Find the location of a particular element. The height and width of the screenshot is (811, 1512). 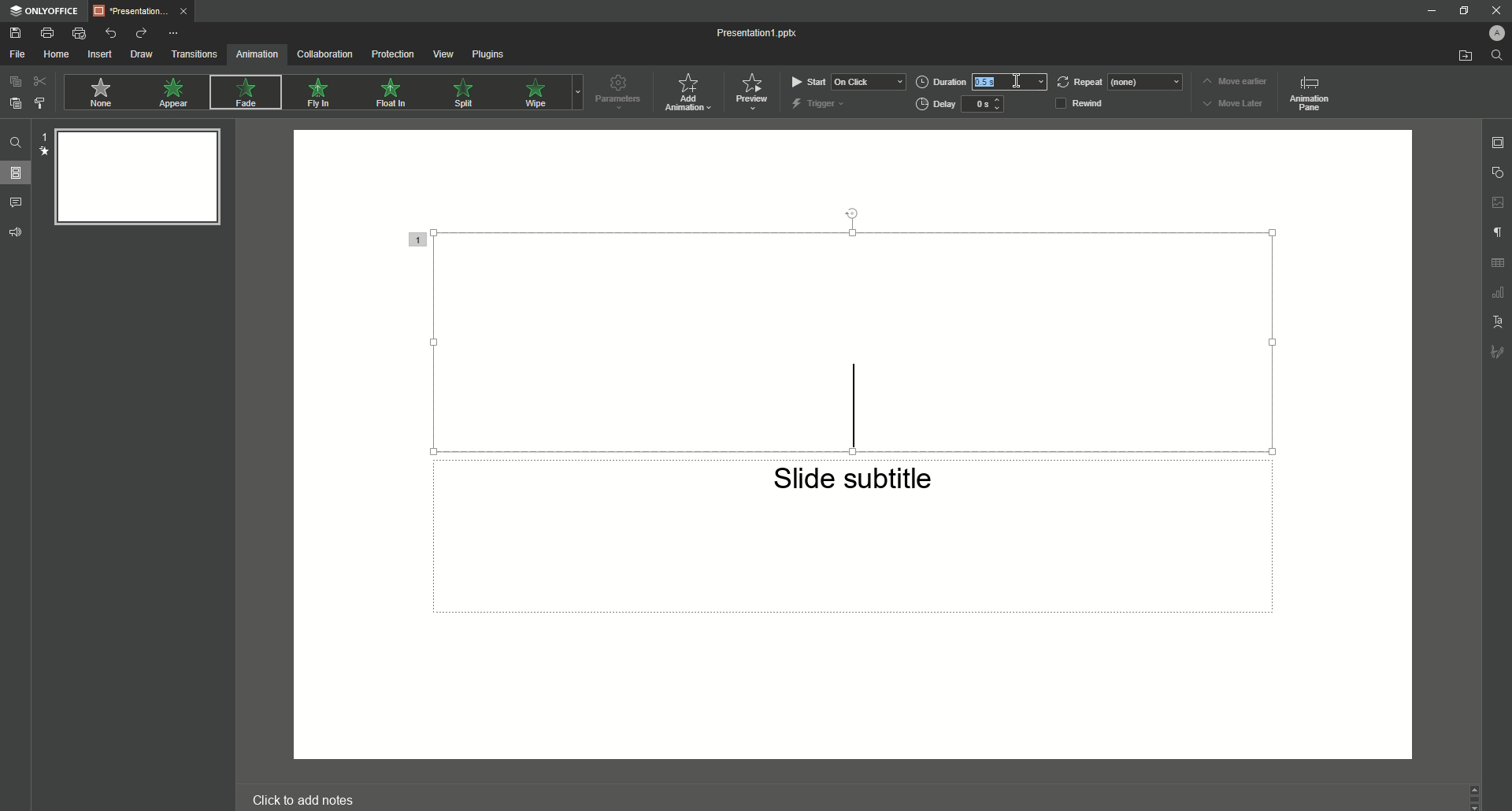

Add Animation is located at coordinates (691, 94).